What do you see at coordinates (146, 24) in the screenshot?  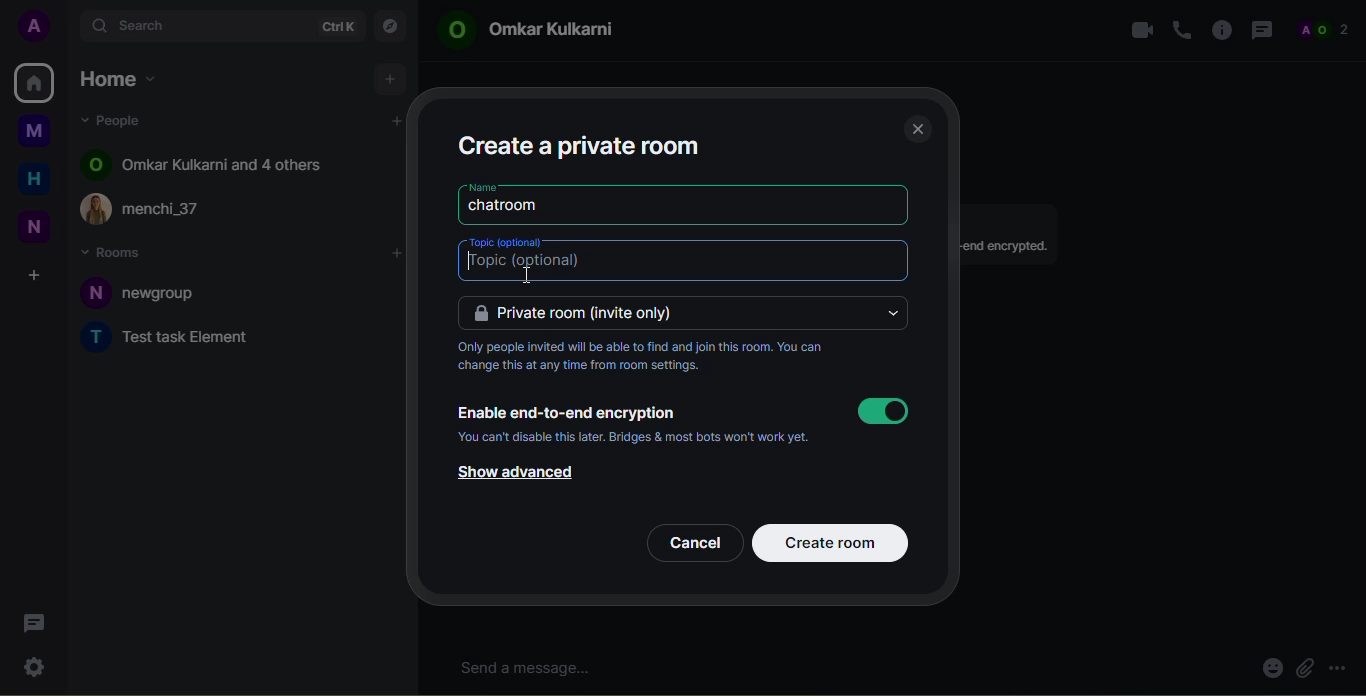 I see `search` at bounding box center [146, 24].